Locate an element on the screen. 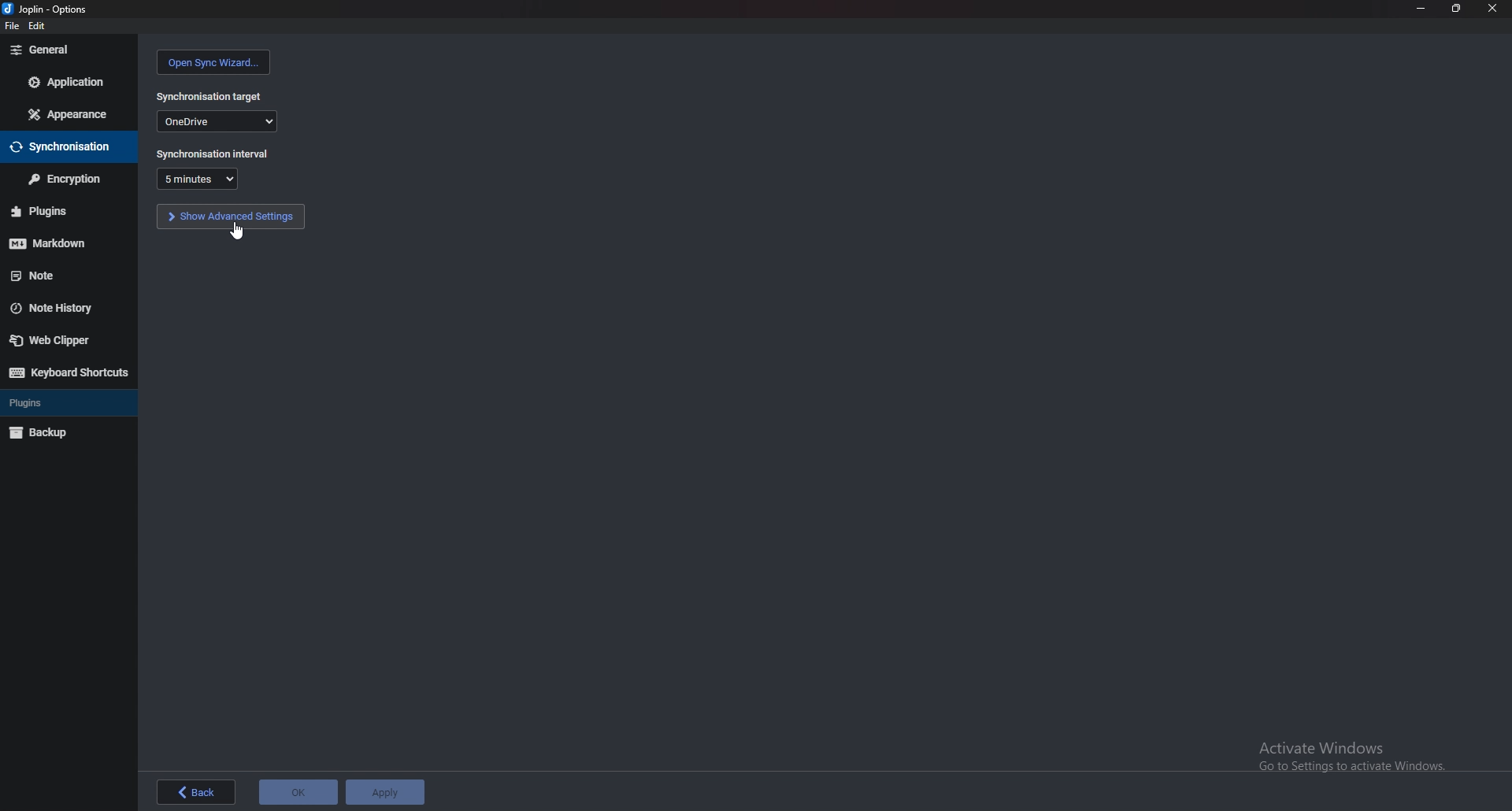 The height and width of the screenshot is (811, 1512). minimize is located at coordinates (1421, 8).